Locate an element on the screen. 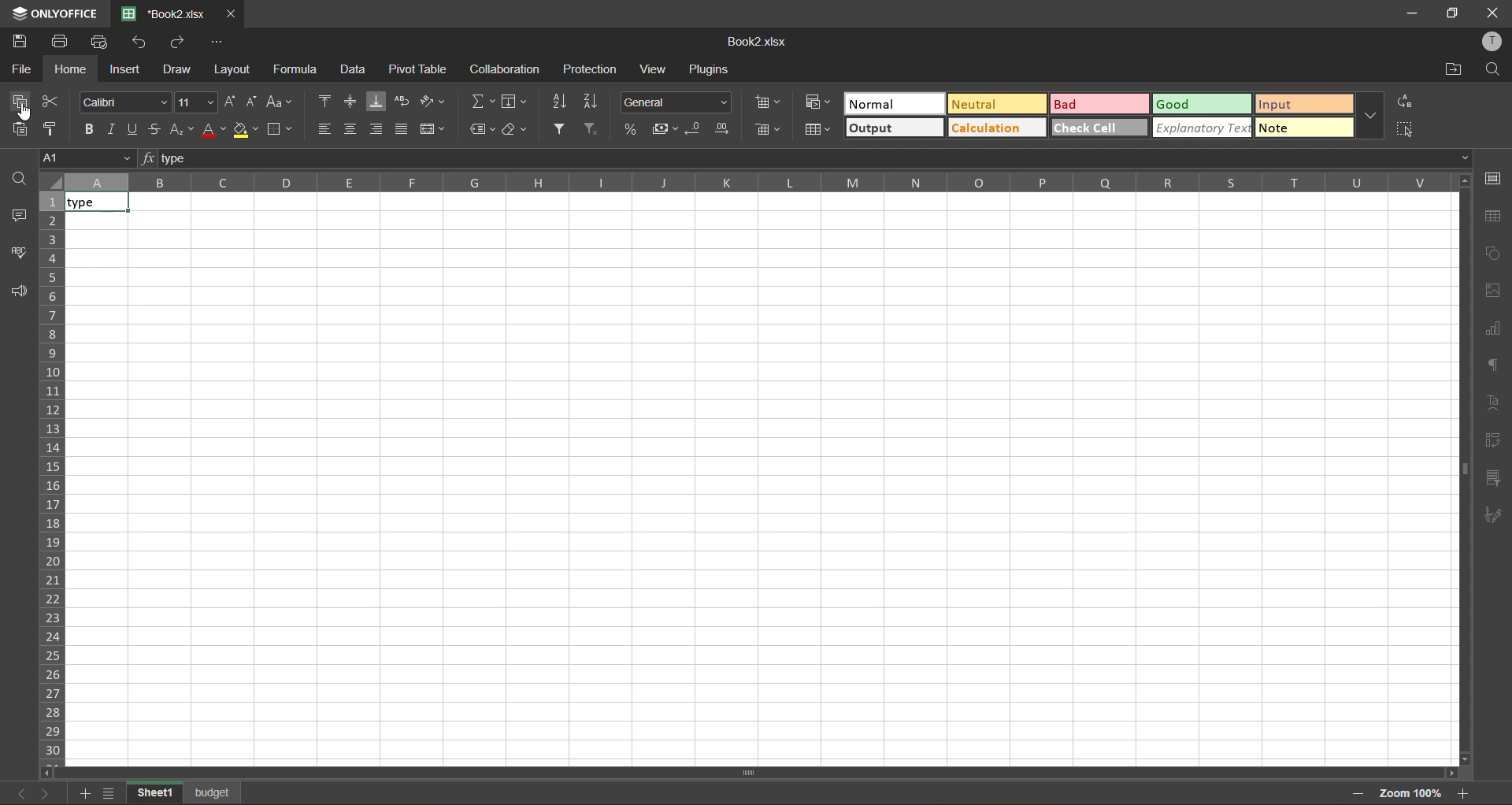 The height and width of the screenshot is (805, 1512). paste is located at coordinates (15, 129).